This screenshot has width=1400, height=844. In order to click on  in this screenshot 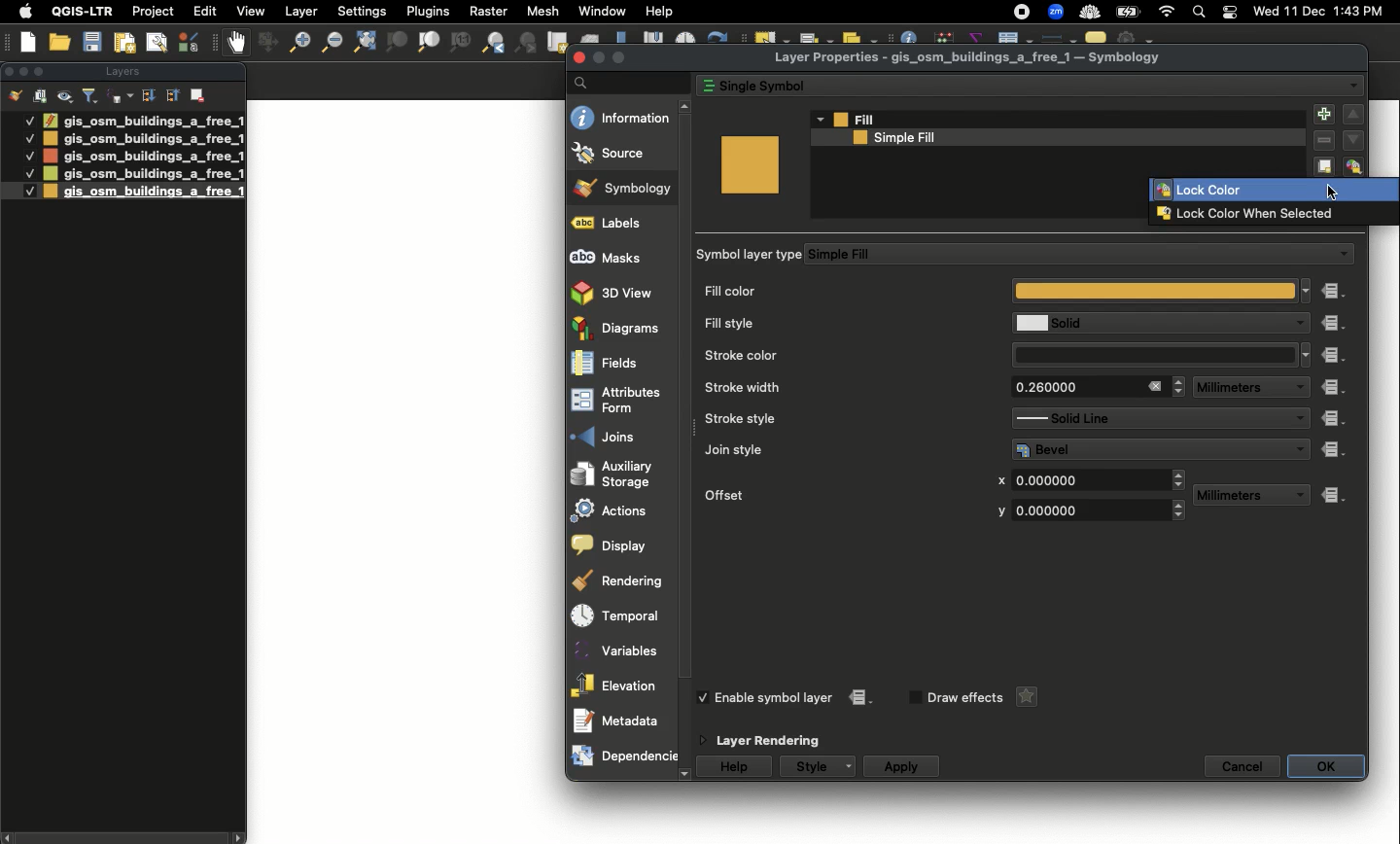, I will do `click(861, 697)`.